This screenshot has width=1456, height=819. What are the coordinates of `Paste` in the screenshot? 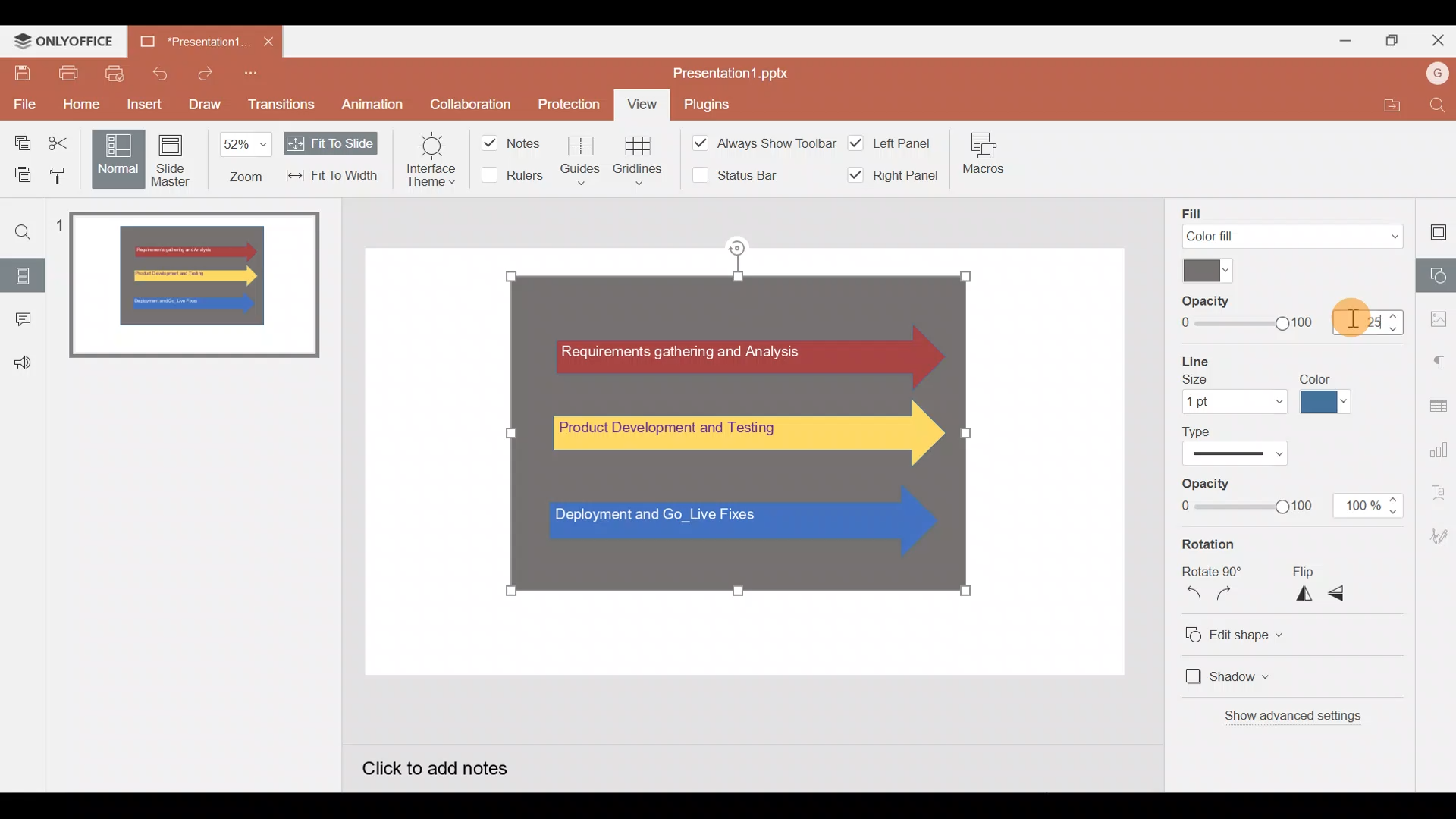 It's located at (18, 174).